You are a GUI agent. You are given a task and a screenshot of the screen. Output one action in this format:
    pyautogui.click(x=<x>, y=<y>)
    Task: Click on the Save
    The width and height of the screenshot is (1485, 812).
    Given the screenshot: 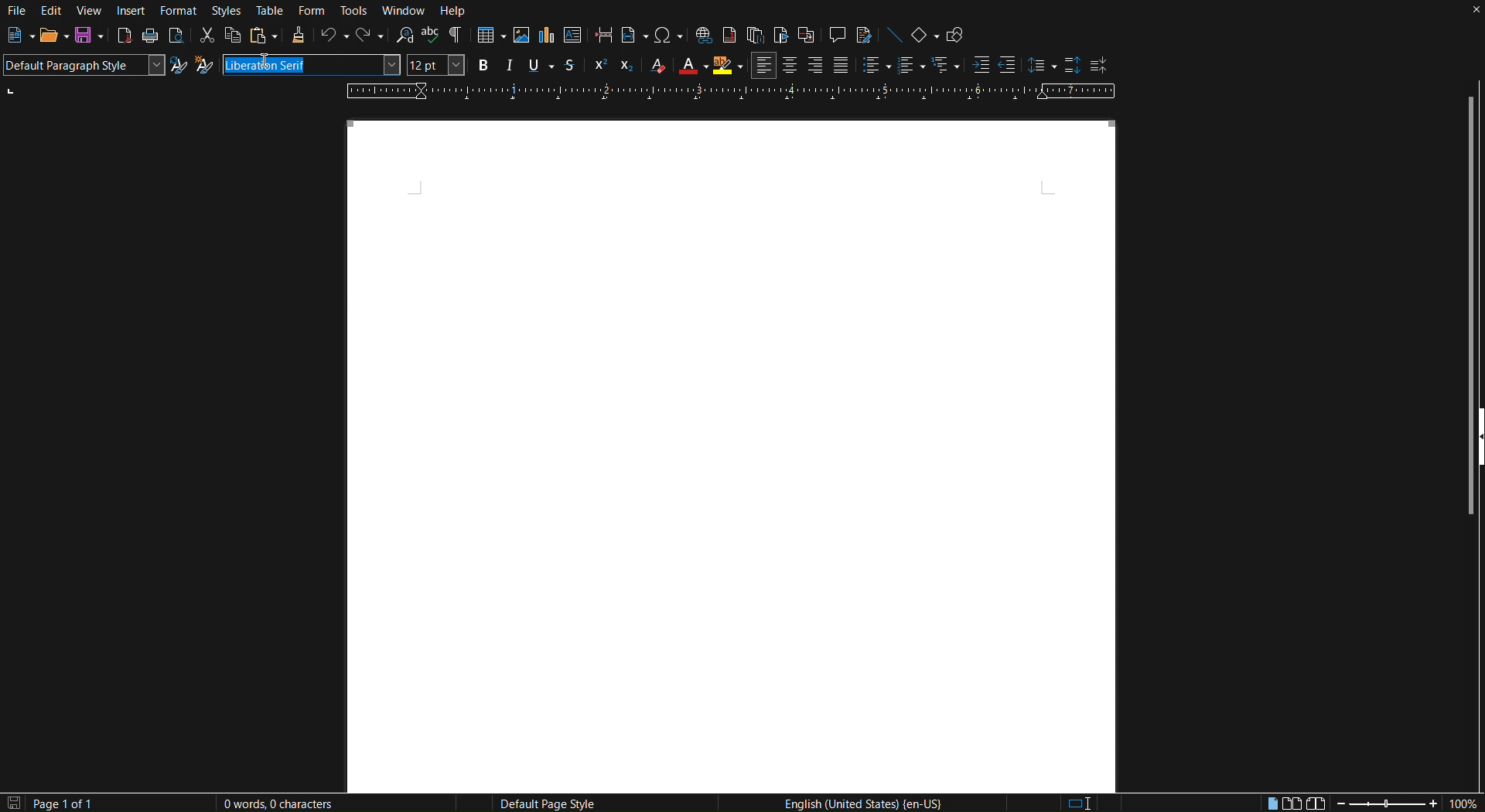 What is the action you would take?
    pyautogui.click(x=90, y=37)
    